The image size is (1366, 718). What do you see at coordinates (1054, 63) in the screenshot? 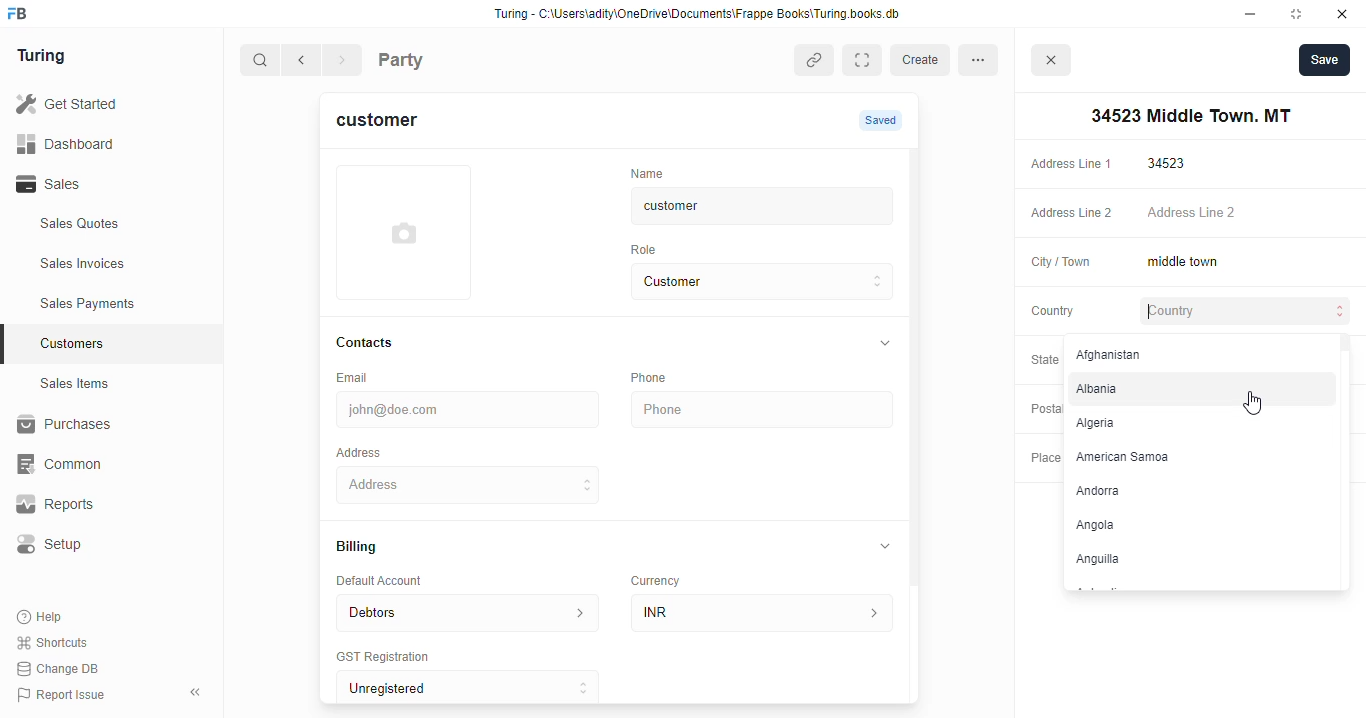
I see `close` at bounding box center [1054, 63].